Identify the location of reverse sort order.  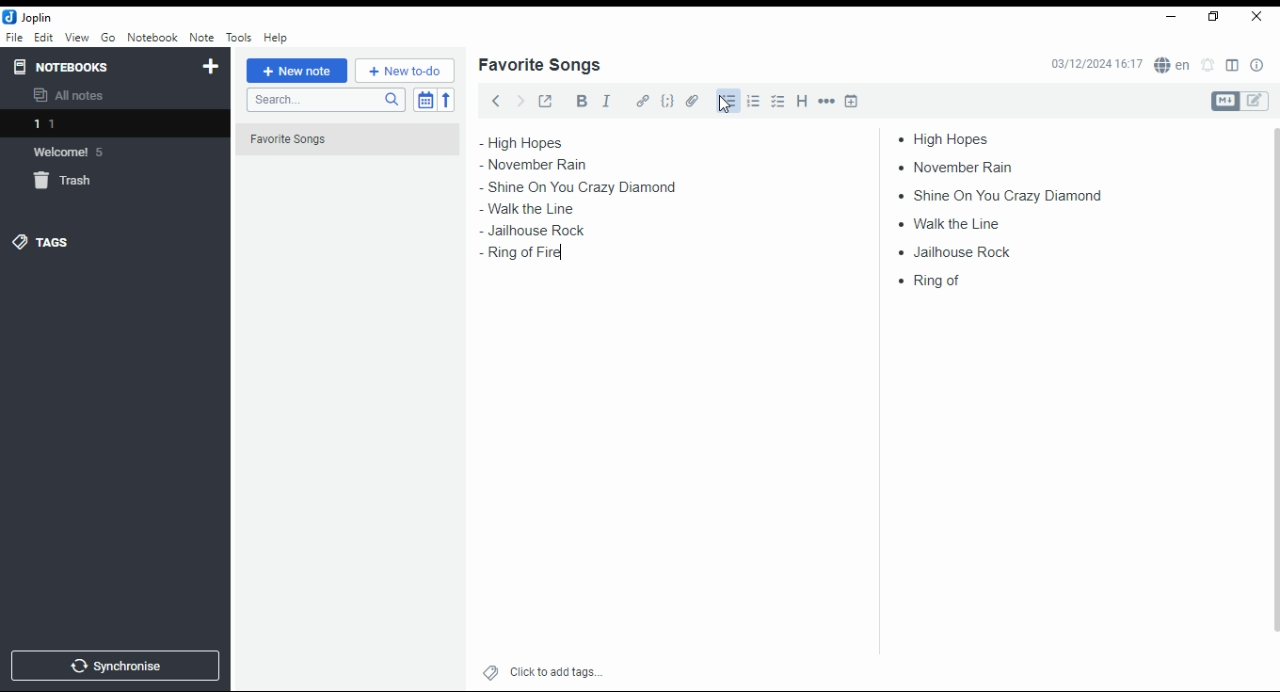
(446, 100).